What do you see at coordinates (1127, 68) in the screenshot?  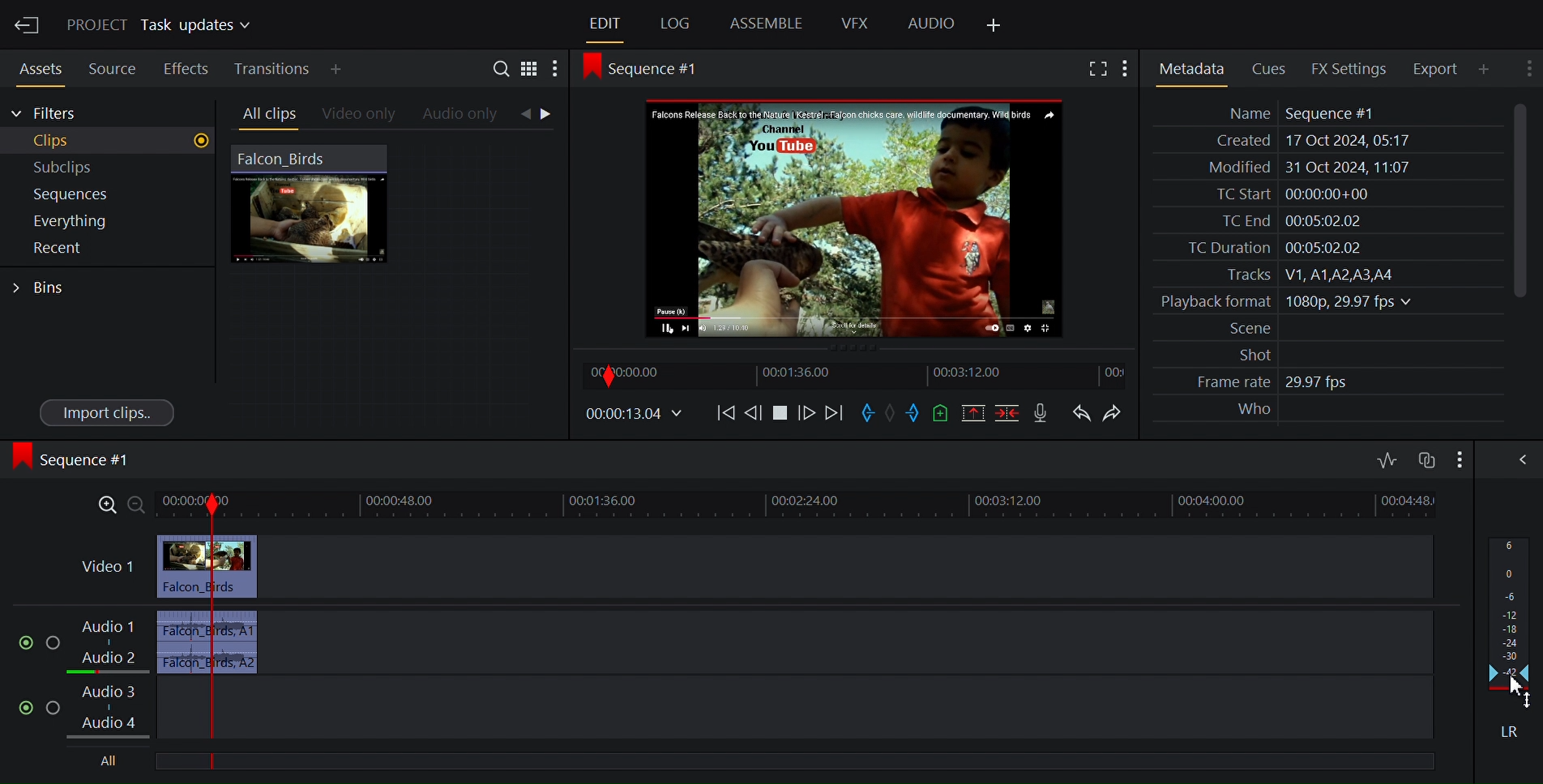 I see `Show settings menu` at bounding box center [1127, 68].